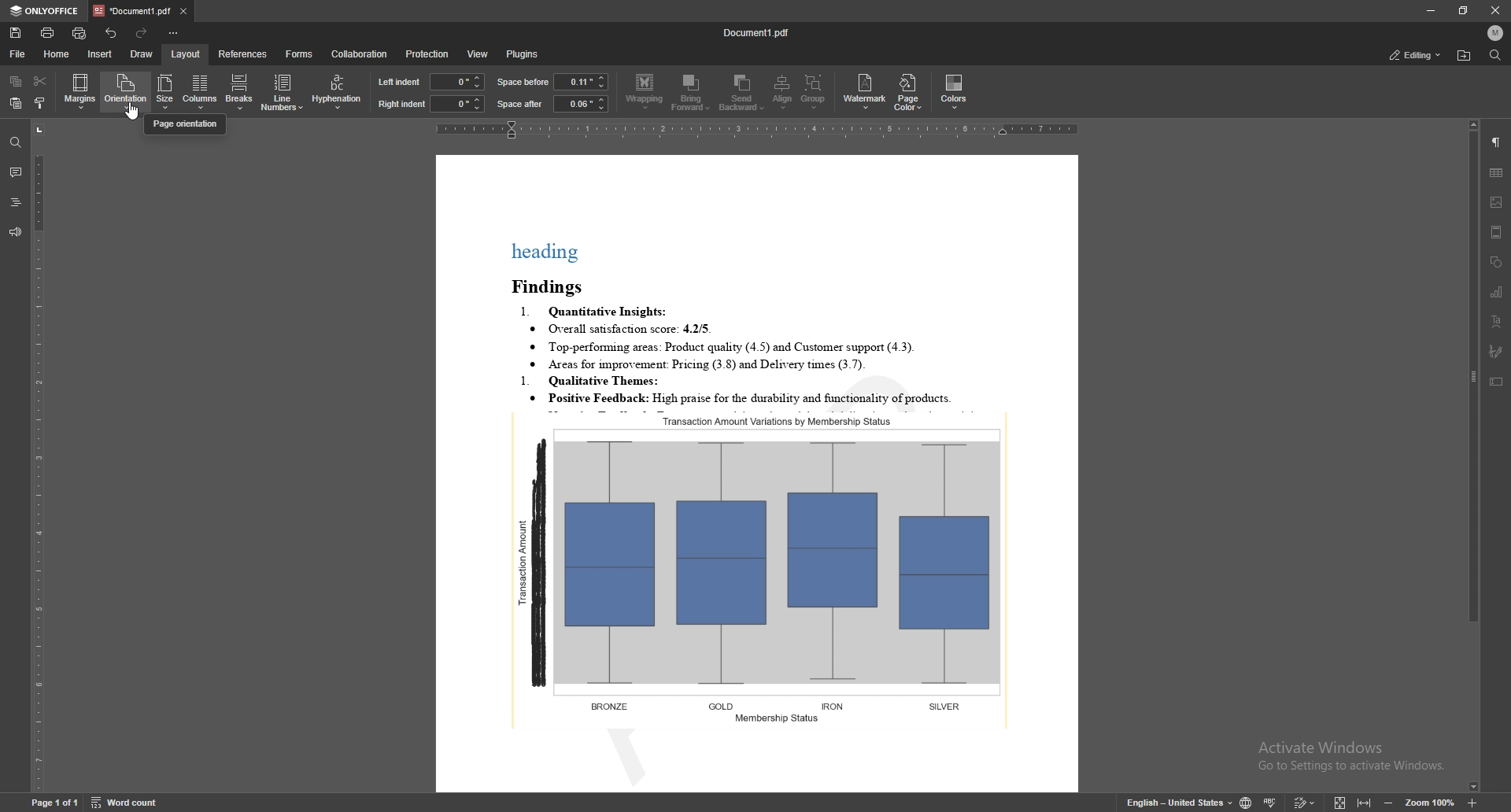  Describe the element at coordinates (1463, 11) in the screenshot. I see `resize` at that location.